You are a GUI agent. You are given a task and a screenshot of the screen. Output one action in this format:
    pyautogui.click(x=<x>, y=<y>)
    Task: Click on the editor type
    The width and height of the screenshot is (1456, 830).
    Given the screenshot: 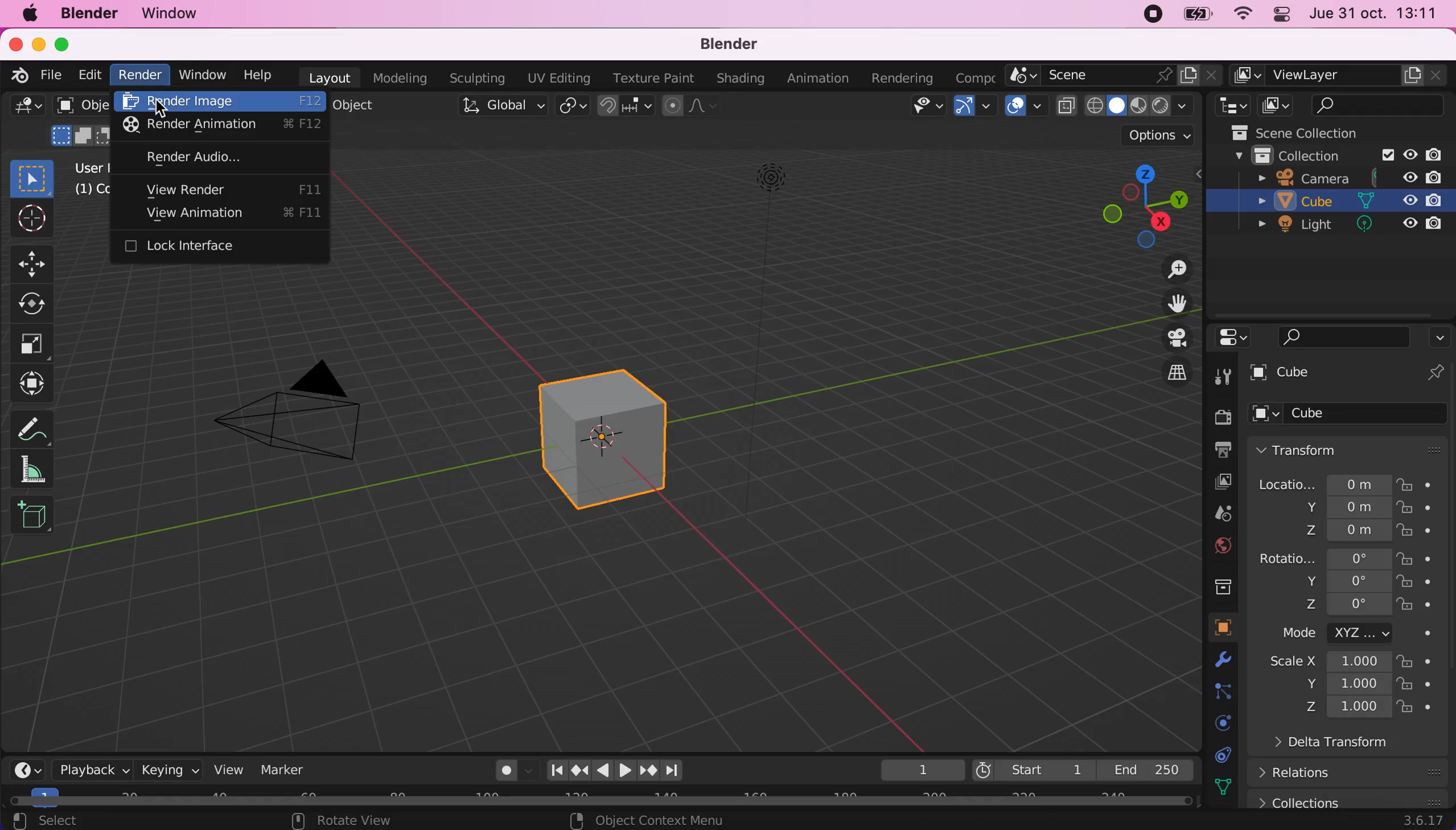 What is the action you would take?
    pyautogui.click(x=1229, y=105)
    